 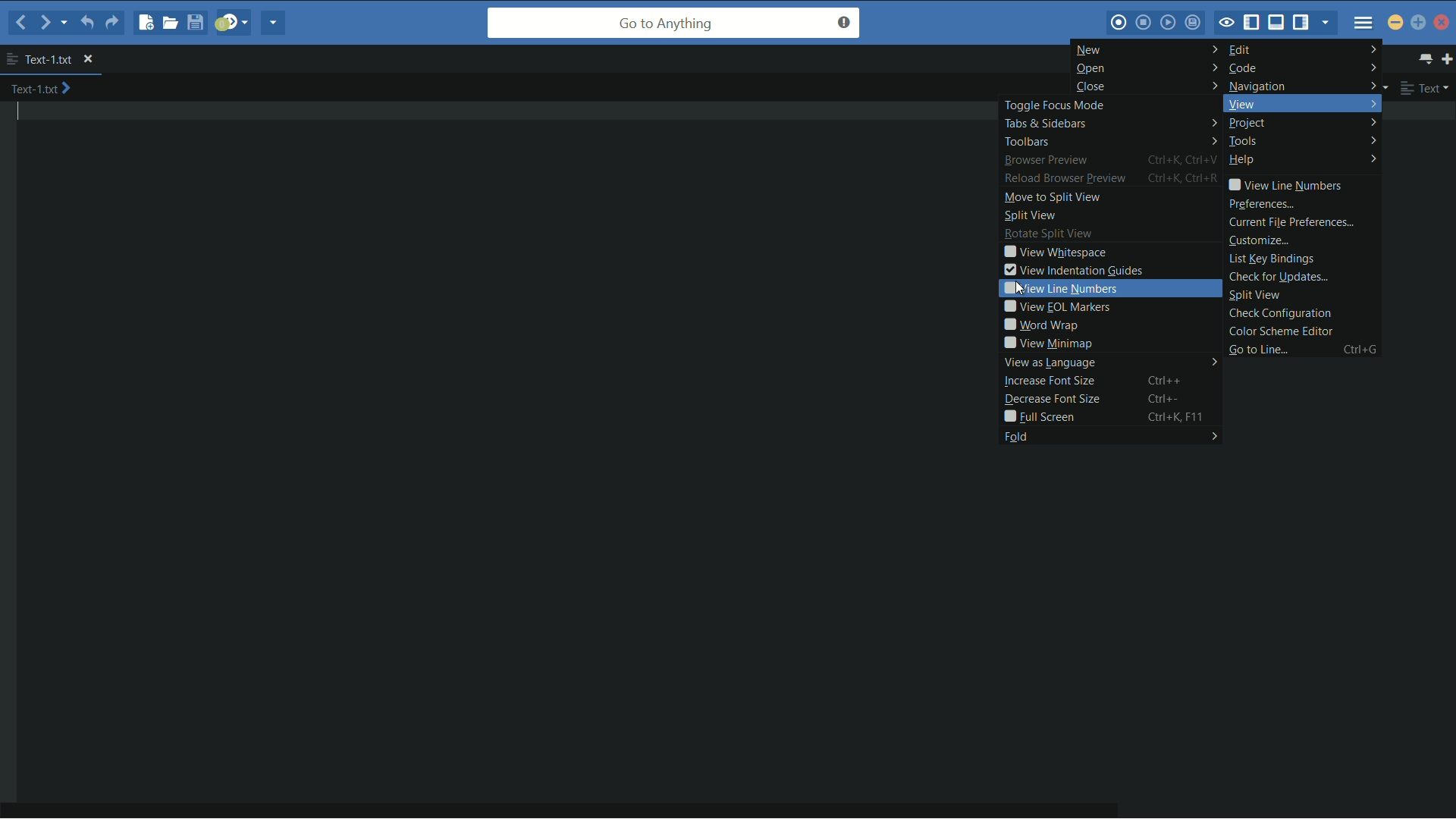 What do you see at coordinates (42, 59) in the screenshot?
I see `text-1.txt` at bounding box center [42, 59].